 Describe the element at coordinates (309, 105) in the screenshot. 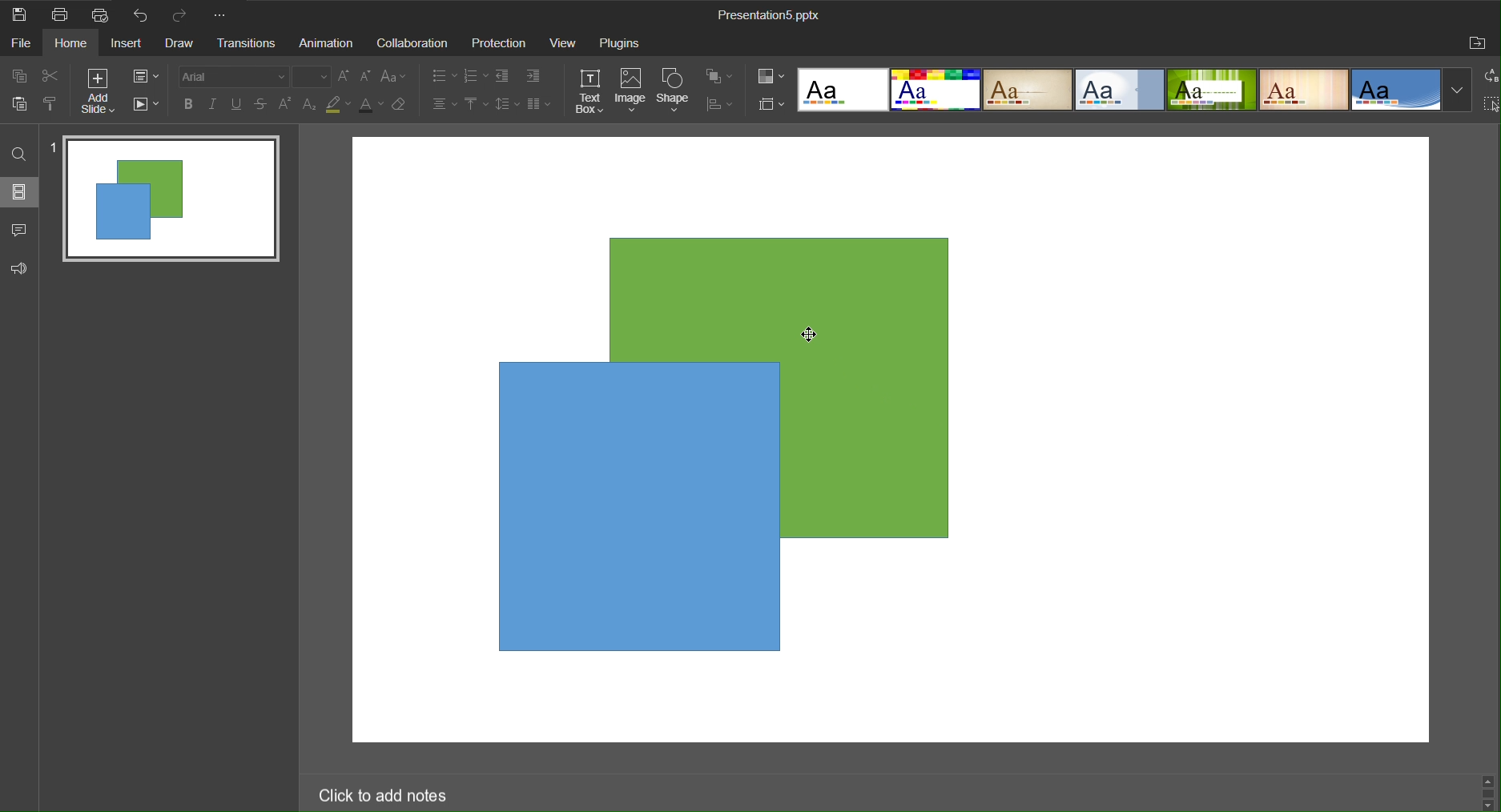

I see `Subscript` at that location.